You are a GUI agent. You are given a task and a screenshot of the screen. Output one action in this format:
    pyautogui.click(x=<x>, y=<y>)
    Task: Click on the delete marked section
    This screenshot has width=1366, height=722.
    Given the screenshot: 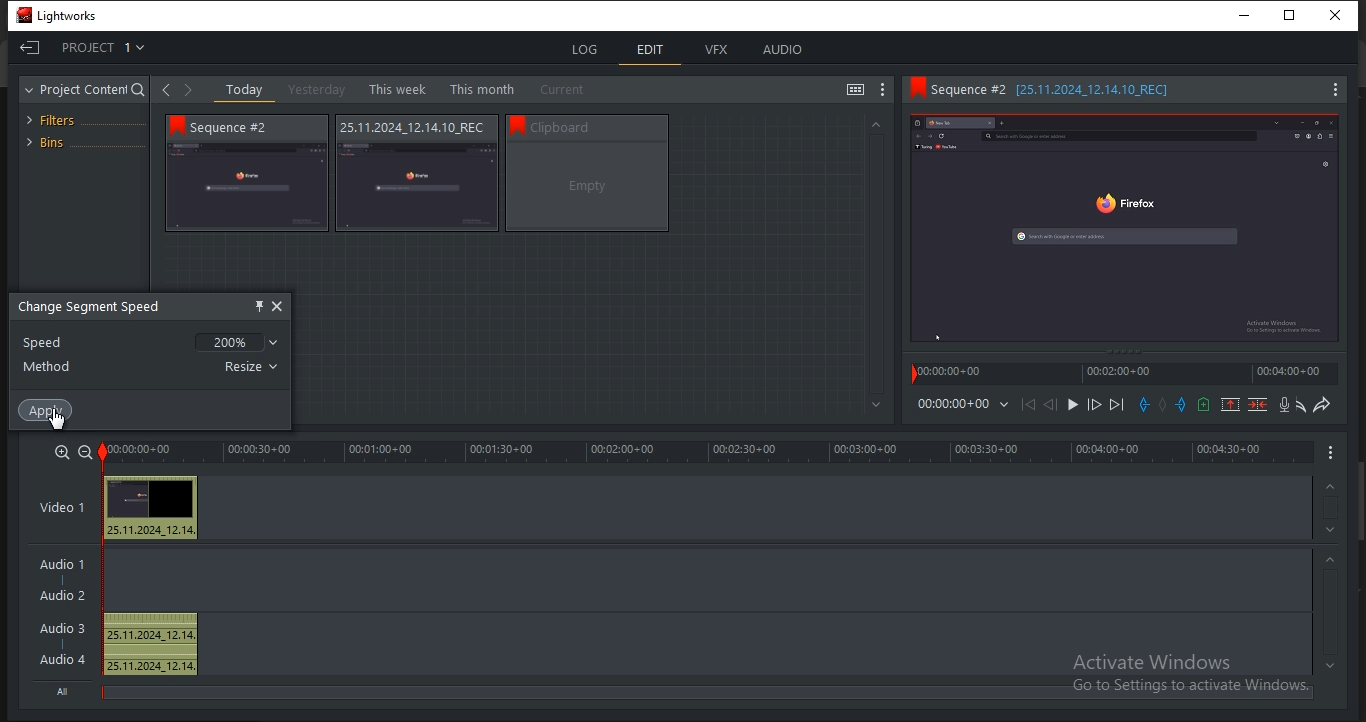 What is the action you would take?
    pyautogui.click(x=1258, y=405)
    